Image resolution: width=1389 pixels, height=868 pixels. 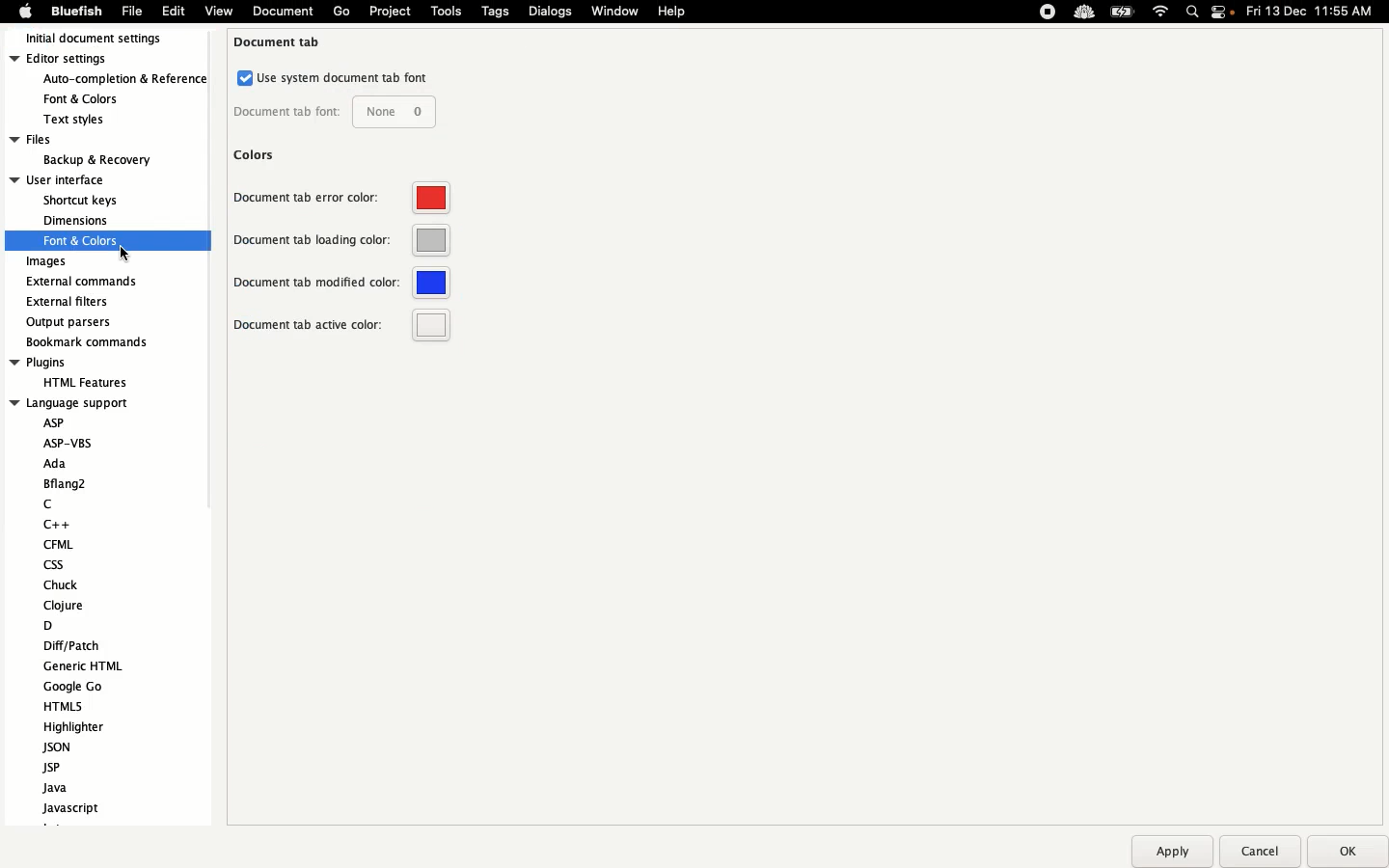 I want to click on fonts & colors, so click(x=95, y=97).